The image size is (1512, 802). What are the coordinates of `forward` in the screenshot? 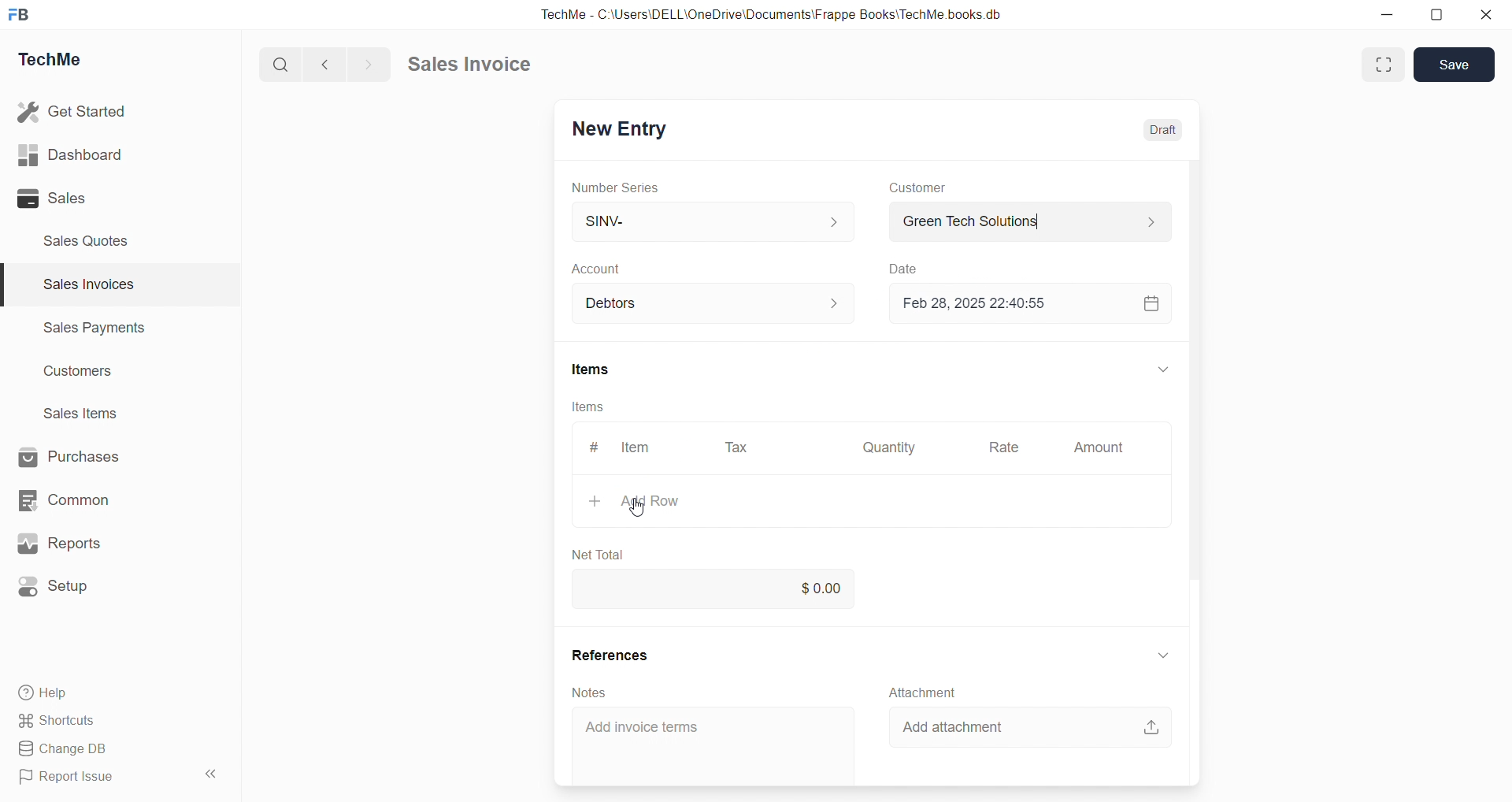 It's located at (366, 65).